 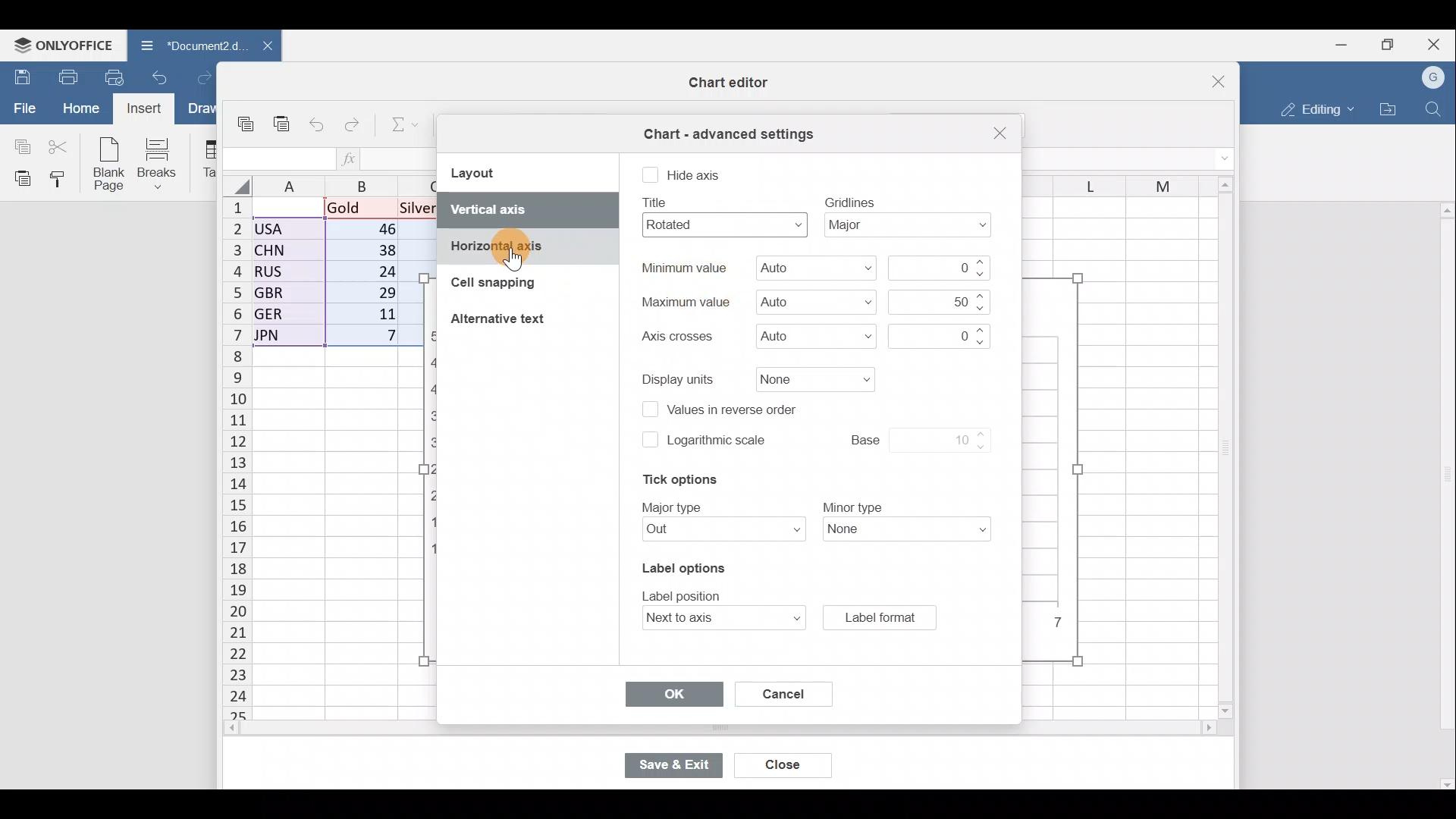 I want to click on Editing mode, so click(x=1315, y=111).